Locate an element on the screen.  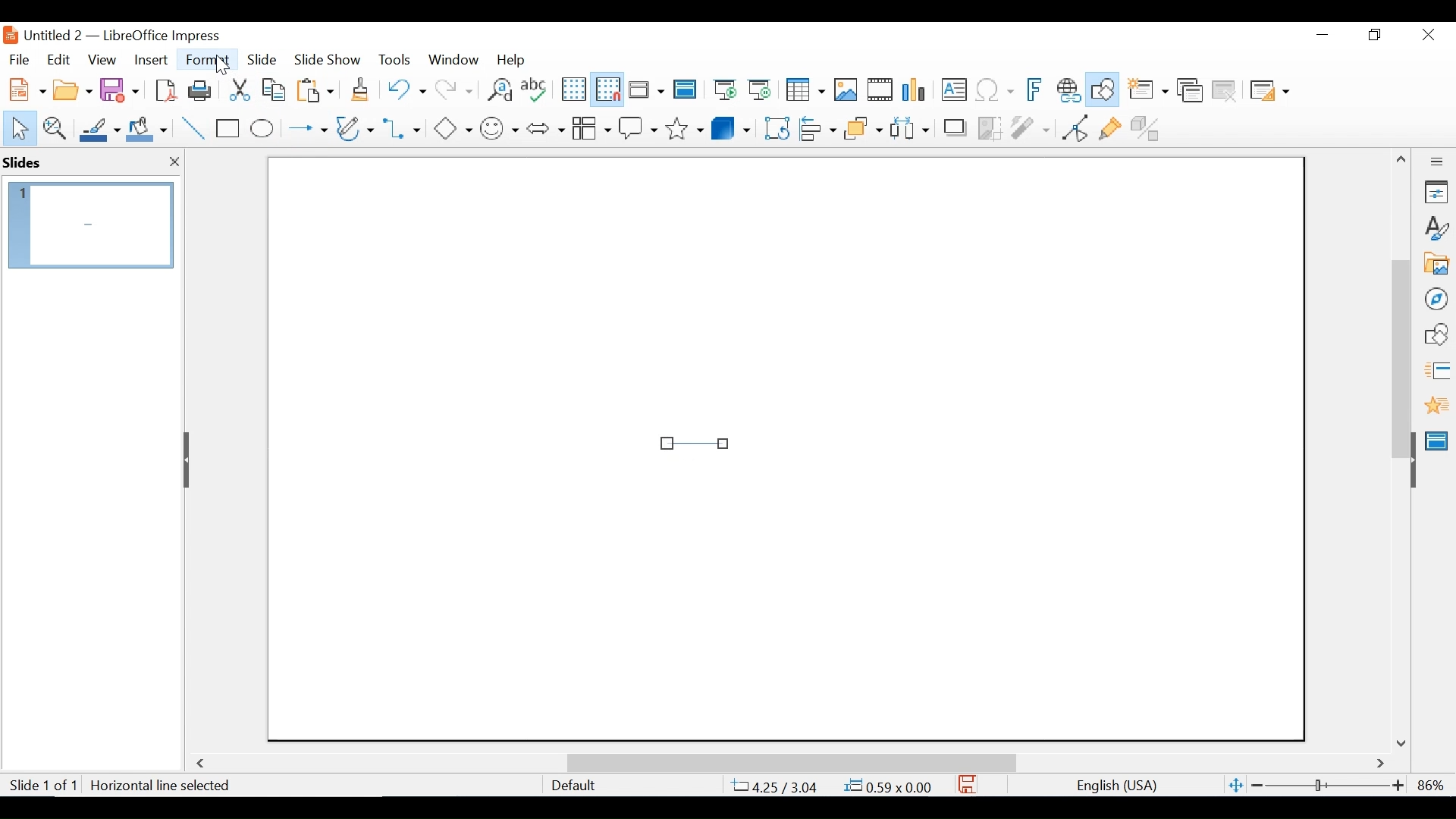
English(USA) is located at coordinates (1109, 786).